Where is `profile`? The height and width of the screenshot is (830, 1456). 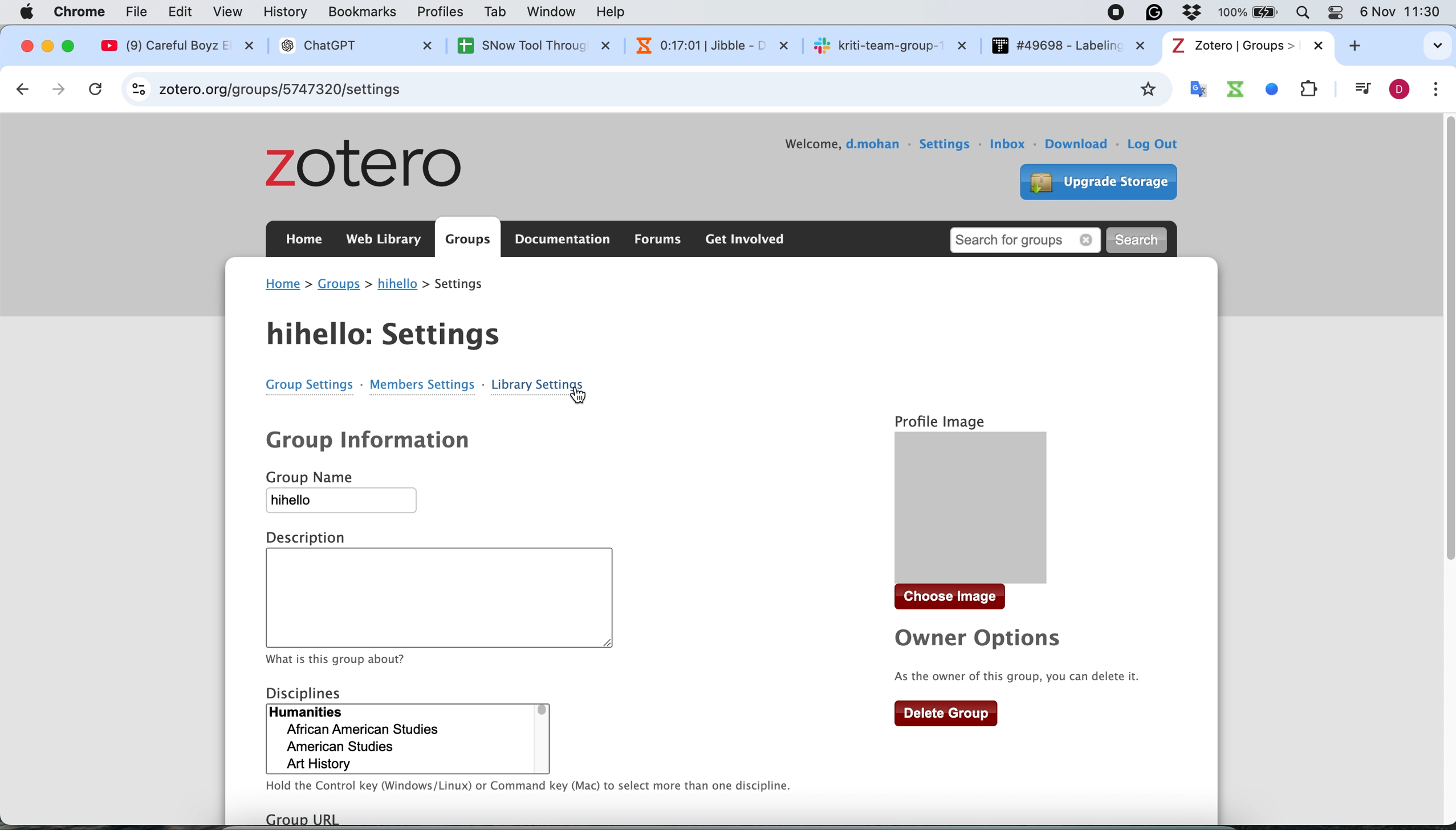
profile is located at coordinates (1399, 89).